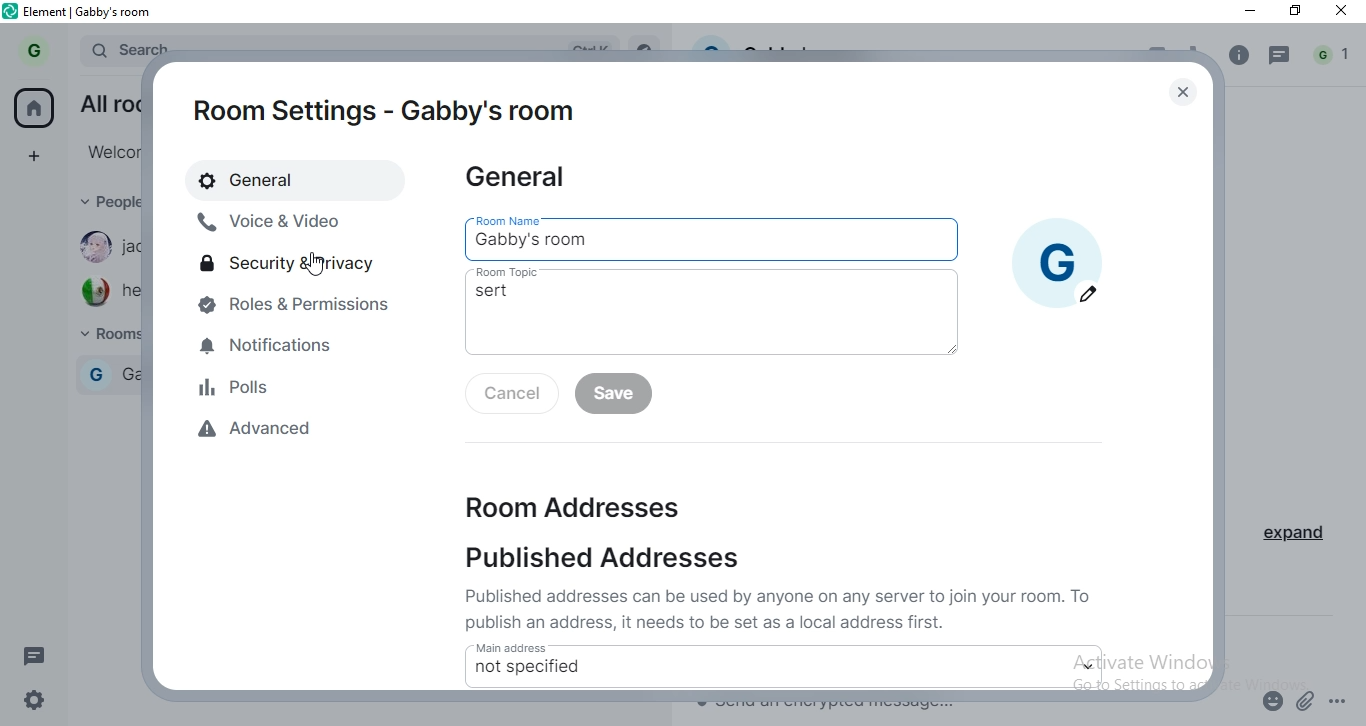  What do you see at coordinates (132, 292) in the screenshot?
I see `hector73` at bounding box center [132, 292].